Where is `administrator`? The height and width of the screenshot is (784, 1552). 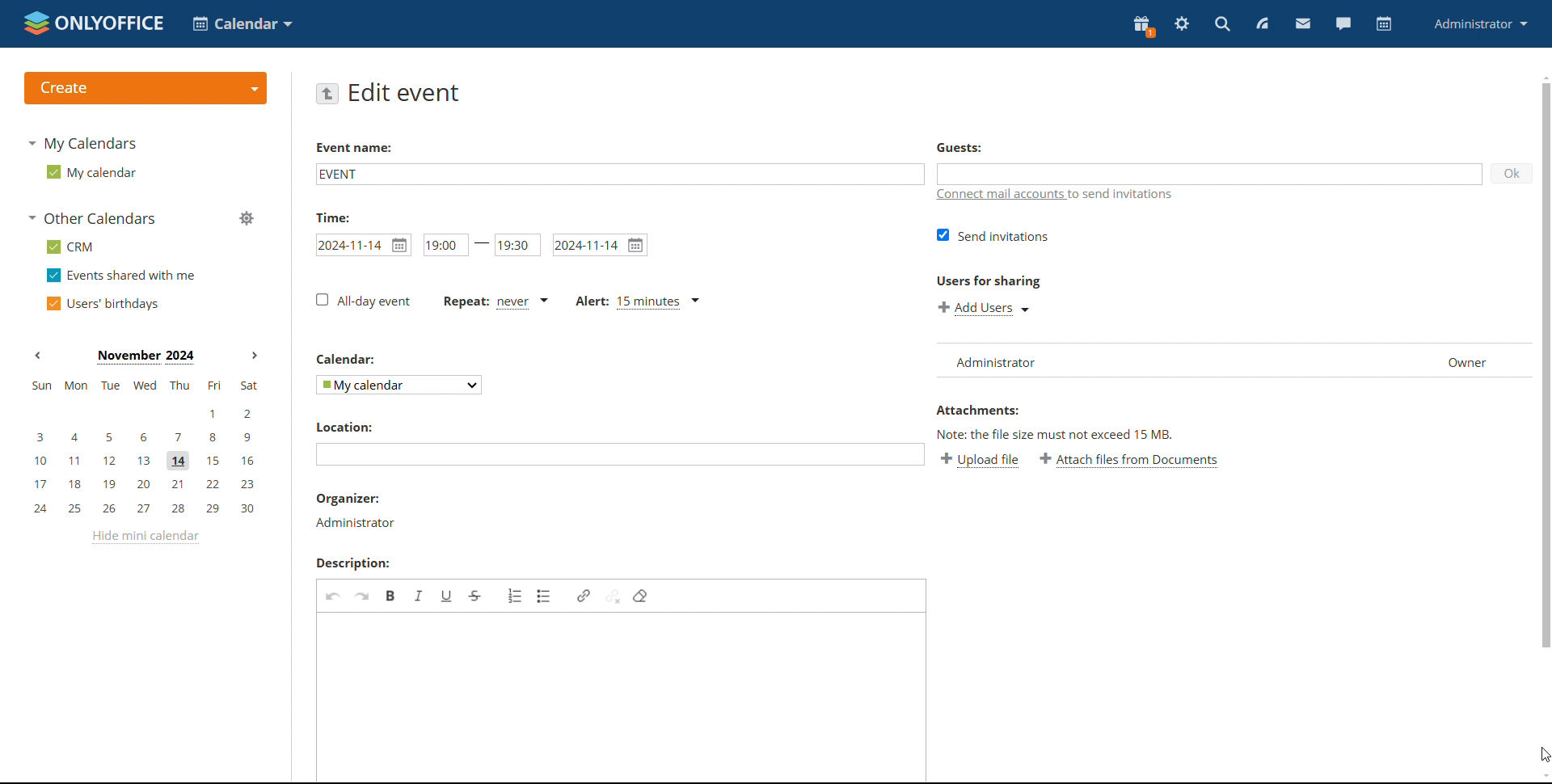 administrator is located at coordinates (354, 522).